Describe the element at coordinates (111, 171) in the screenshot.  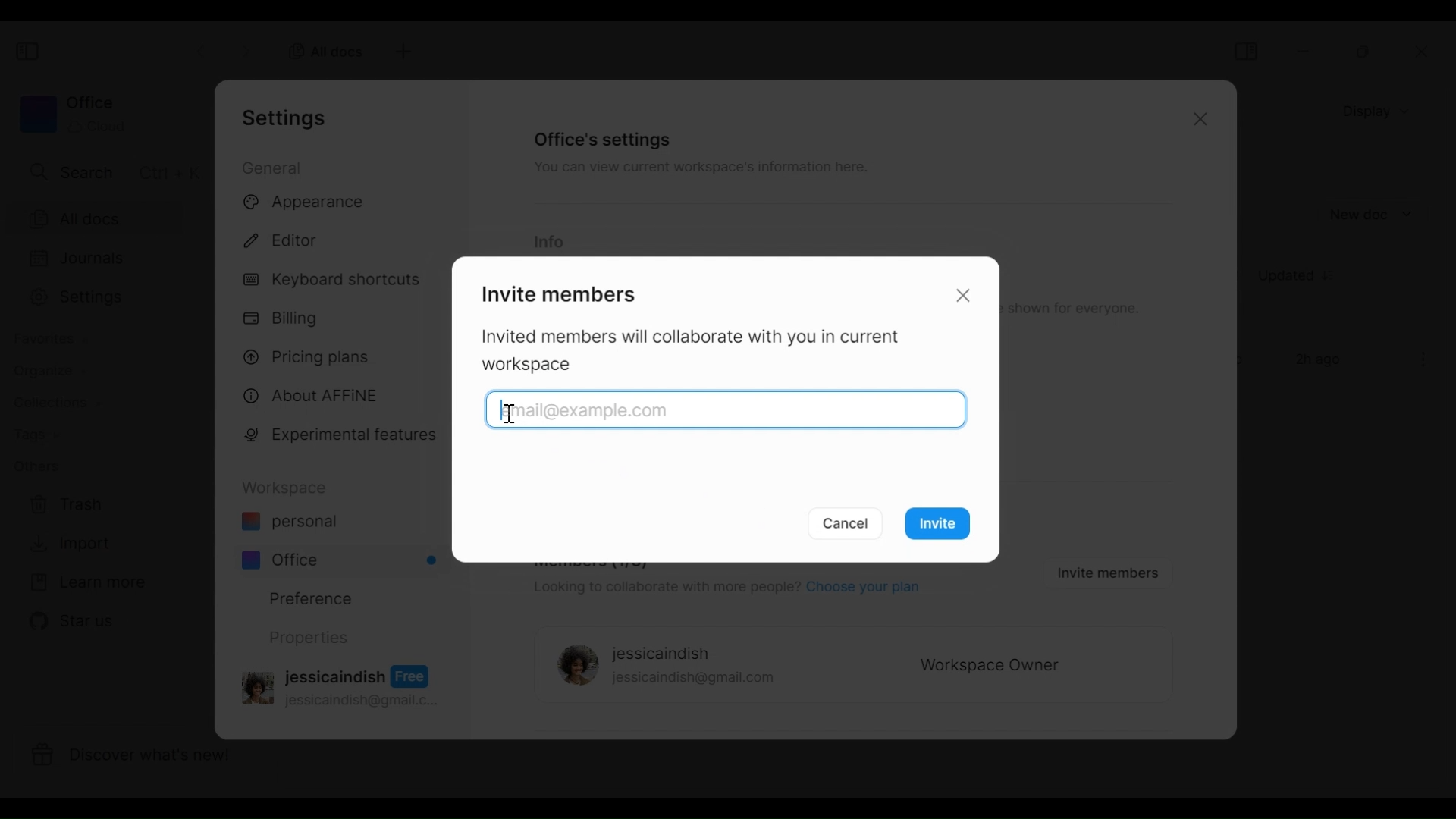
I see `Search` at that location.